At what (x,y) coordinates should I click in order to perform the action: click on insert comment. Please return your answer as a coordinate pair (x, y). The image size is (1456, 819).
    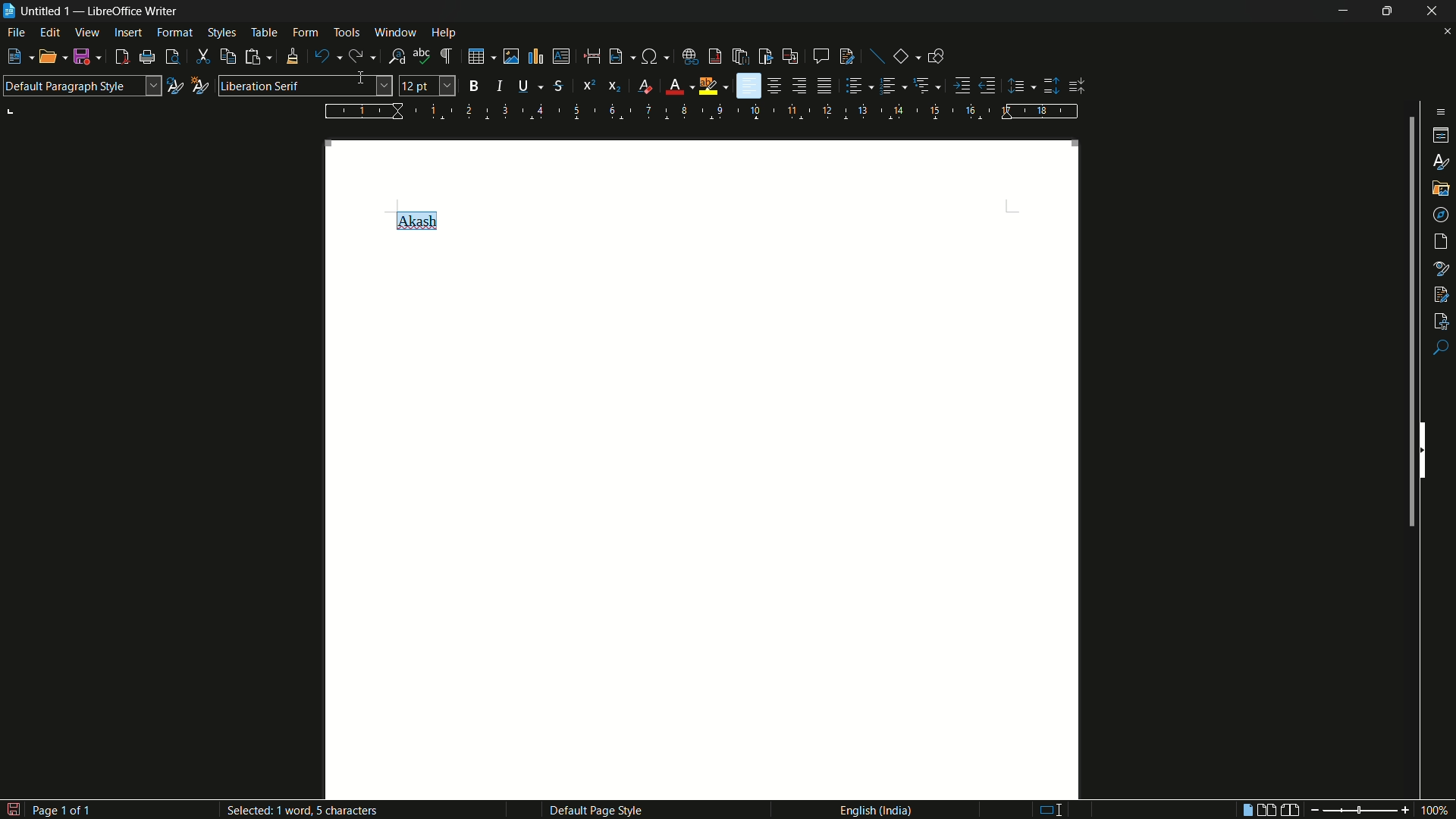
    Looking at the image, I should click on (821, 56).